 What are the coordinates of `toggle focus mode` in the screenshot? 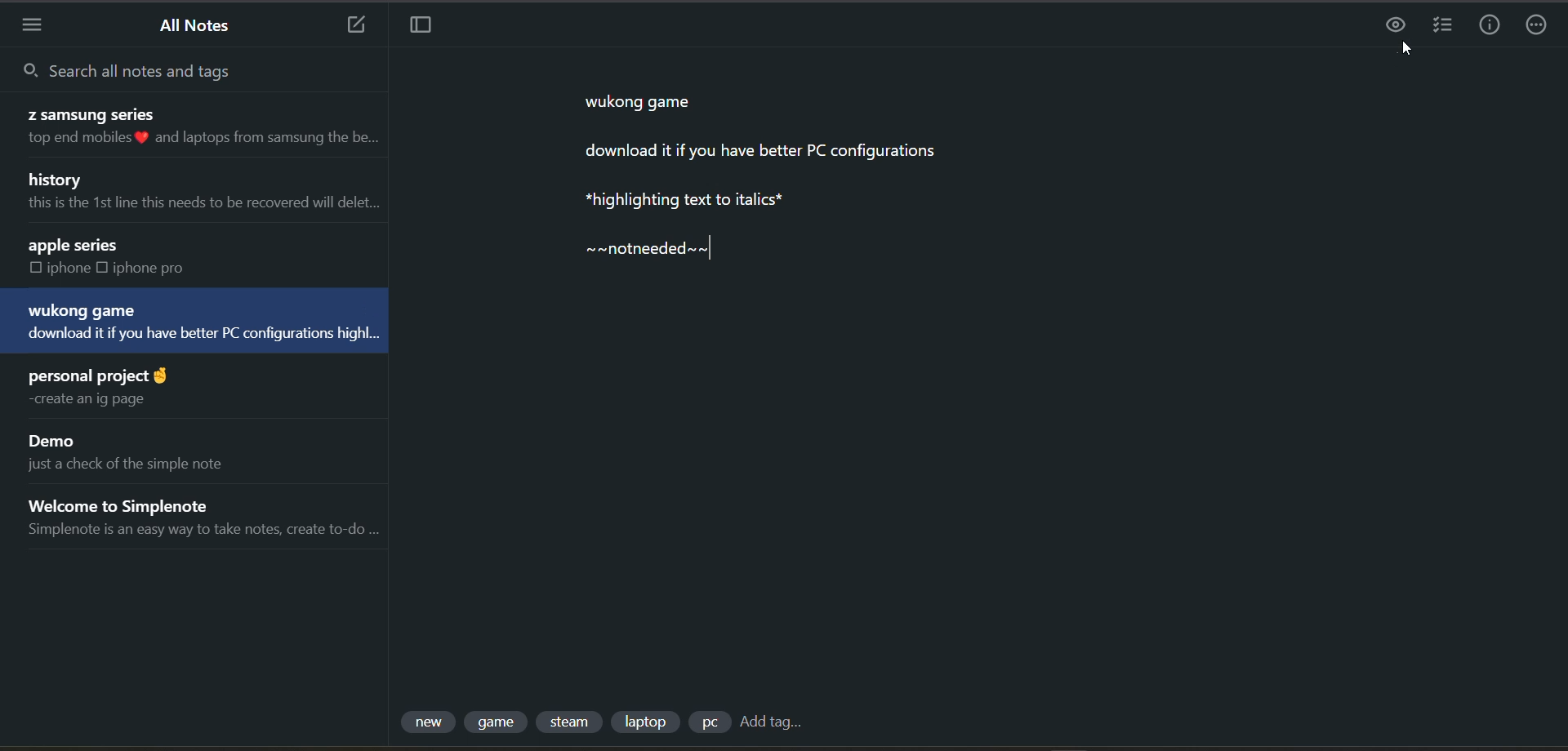 It's located at (424, 29).